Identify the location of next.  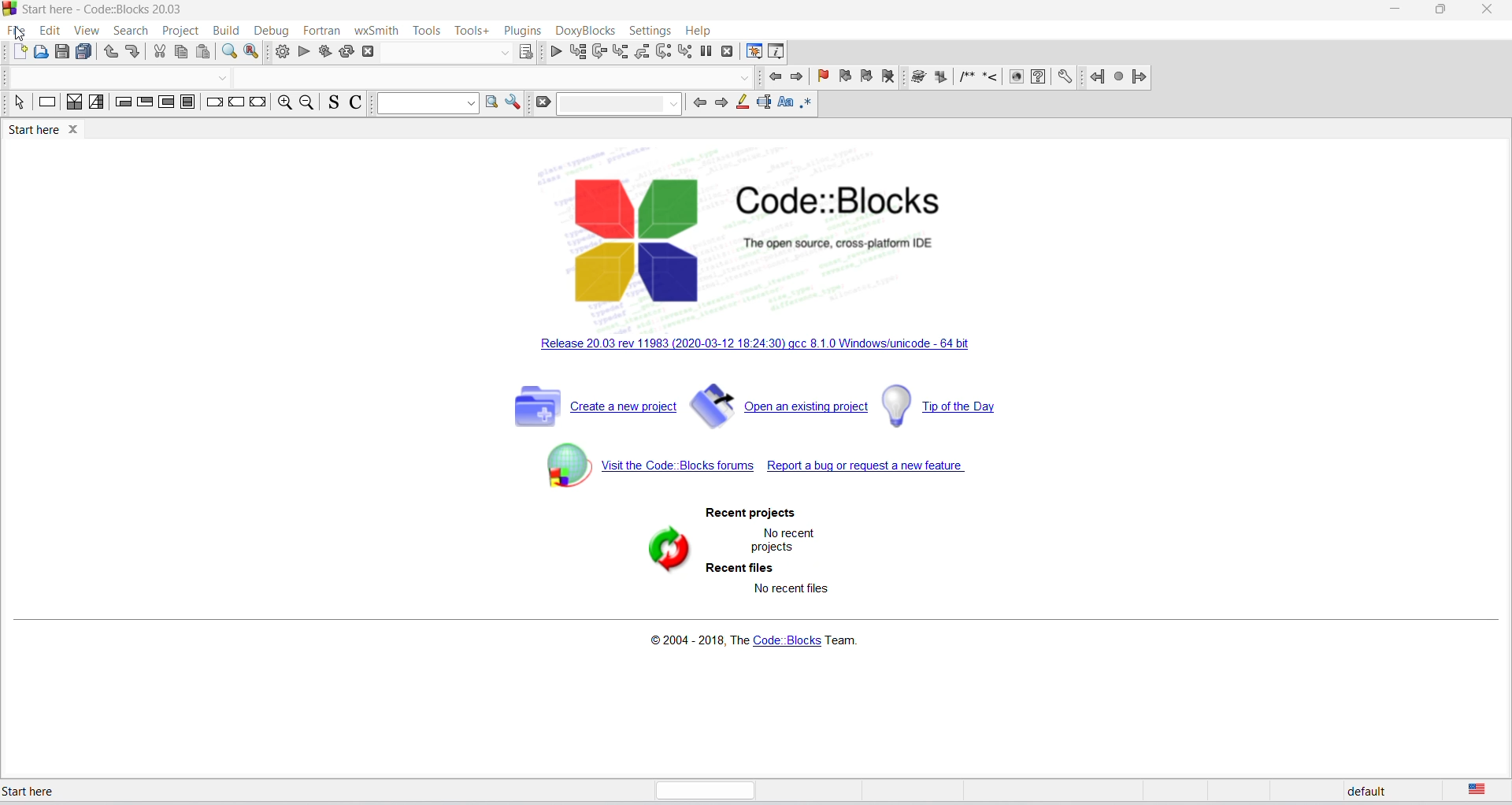
(721, 105).